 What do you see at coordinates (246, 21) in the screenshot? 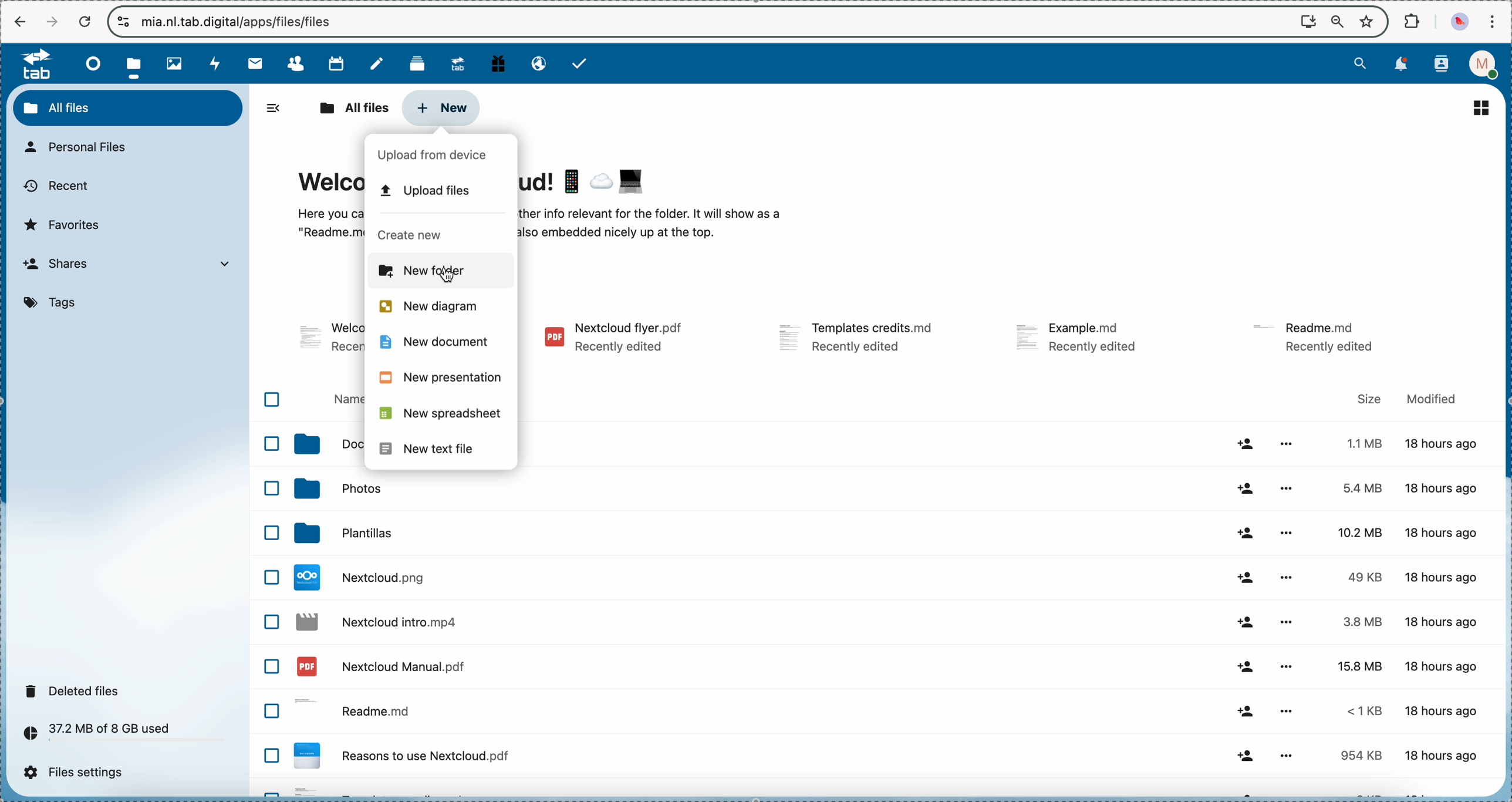
I see `url` at bounding box center [246, 21].